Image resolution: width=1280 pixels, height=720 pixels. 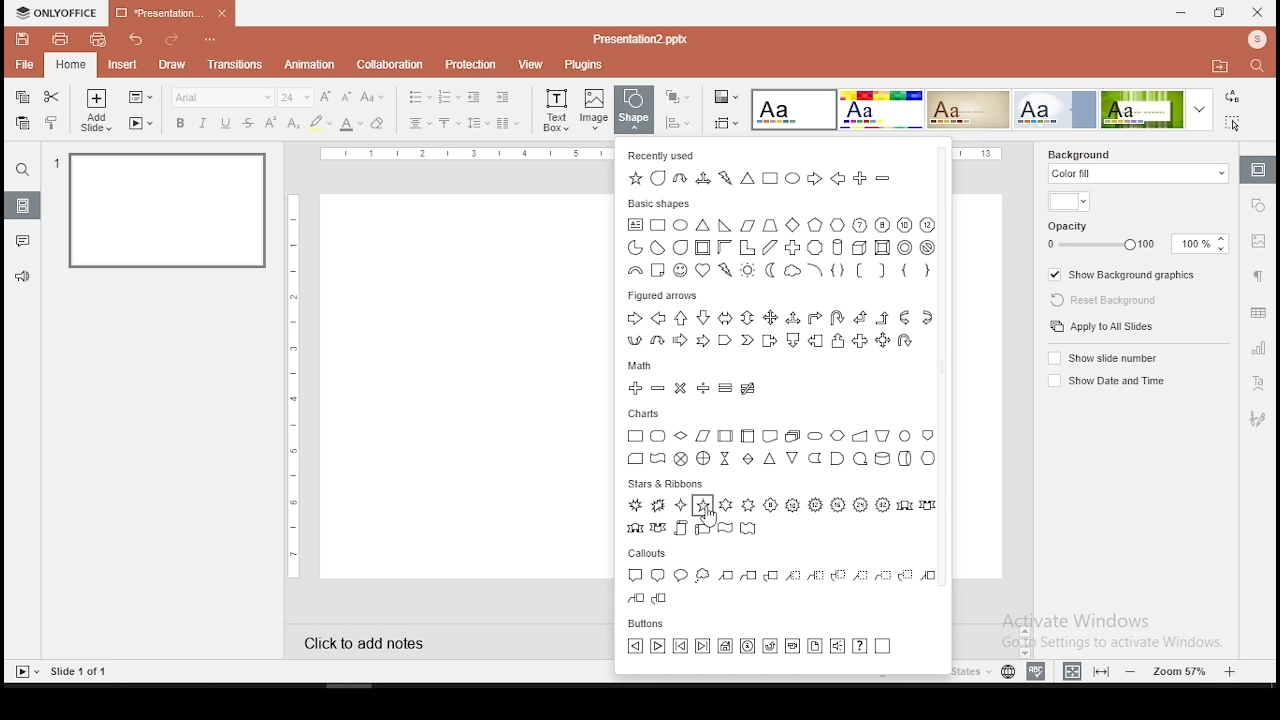 I want to click on search, so click(x=23, y=169).